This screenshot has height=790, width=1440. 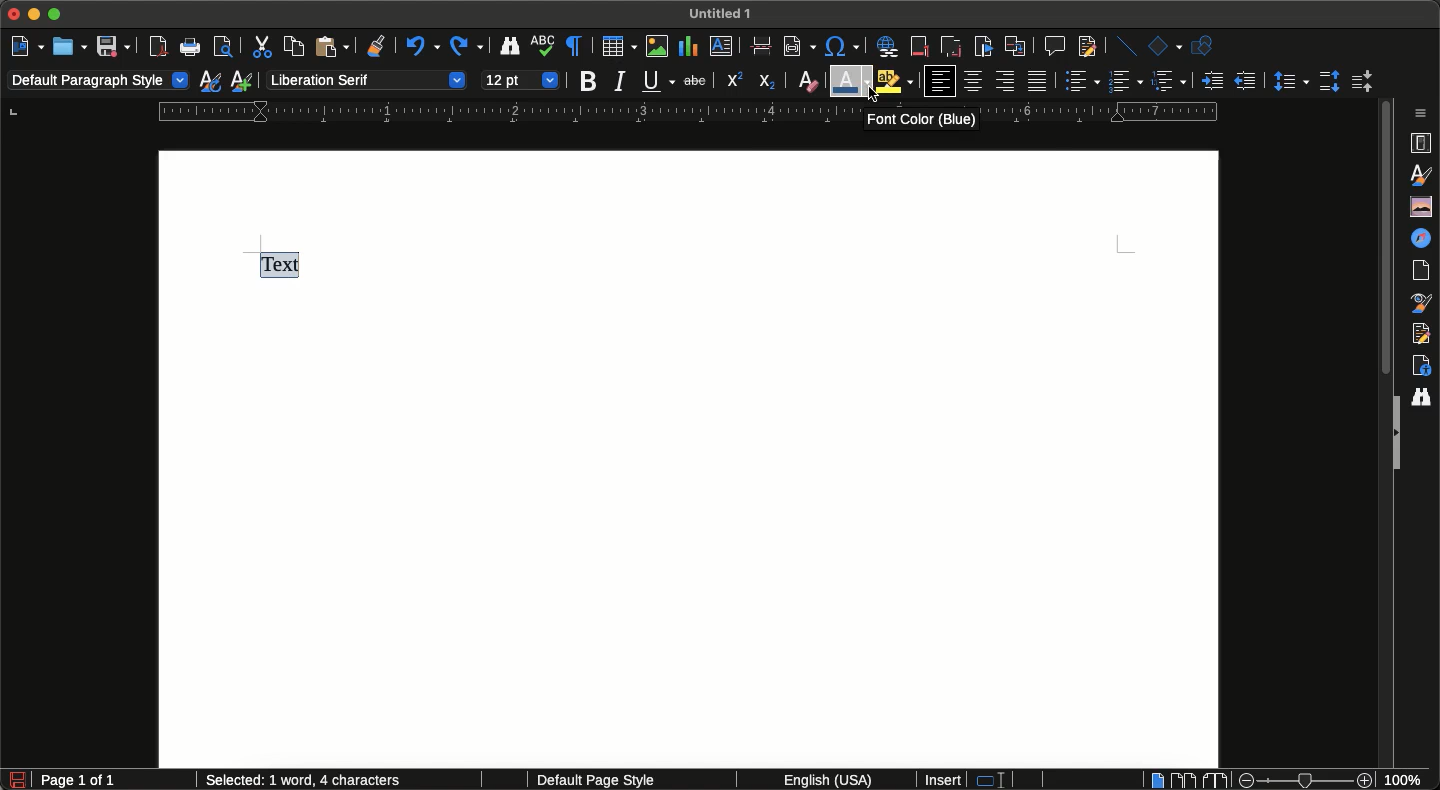 I want to click on Spelling, so click(x=544, y=48).